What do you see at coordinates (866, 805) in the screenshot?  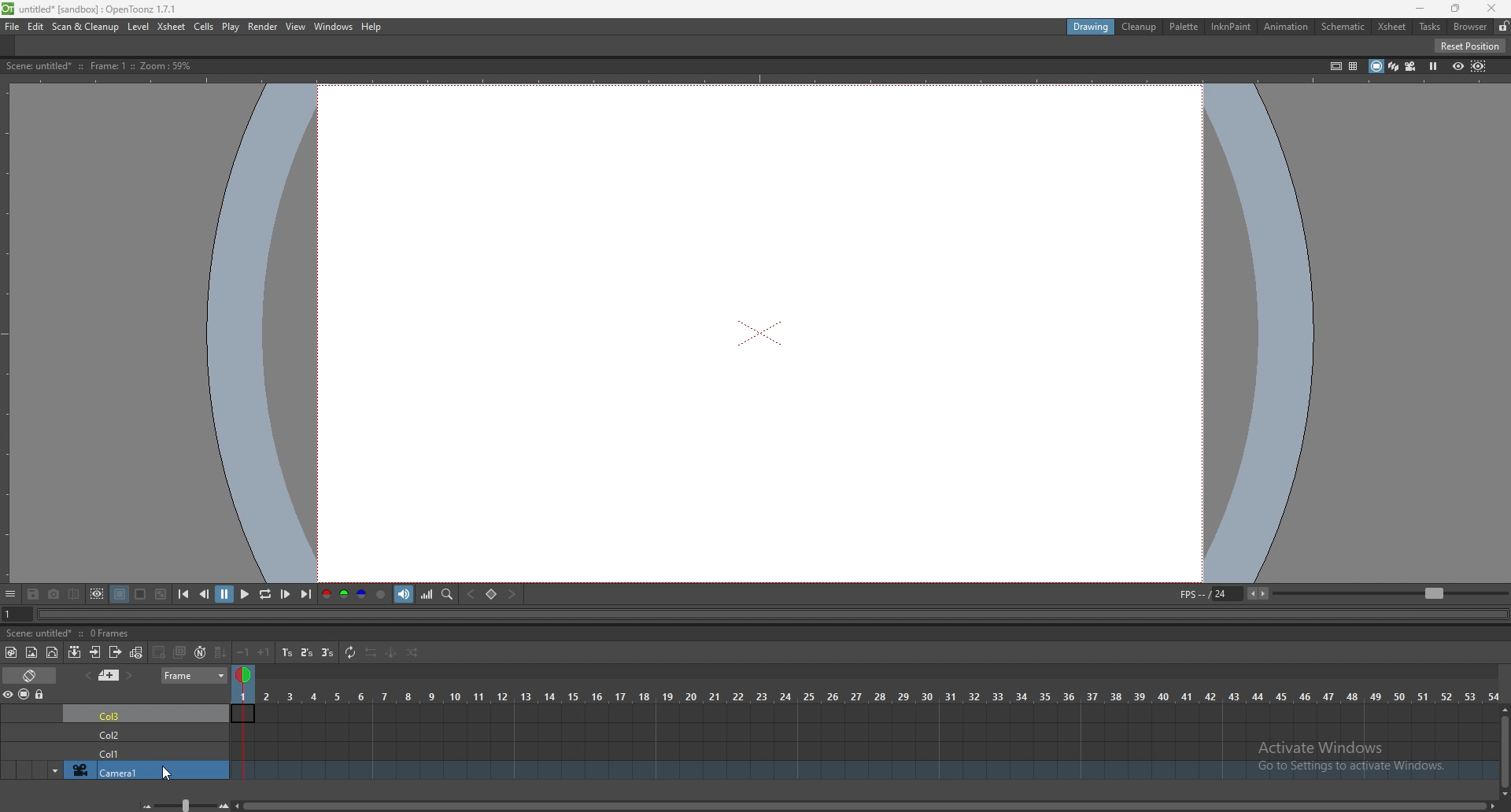 I see `scroll bar` at bounding box center [866, 805].